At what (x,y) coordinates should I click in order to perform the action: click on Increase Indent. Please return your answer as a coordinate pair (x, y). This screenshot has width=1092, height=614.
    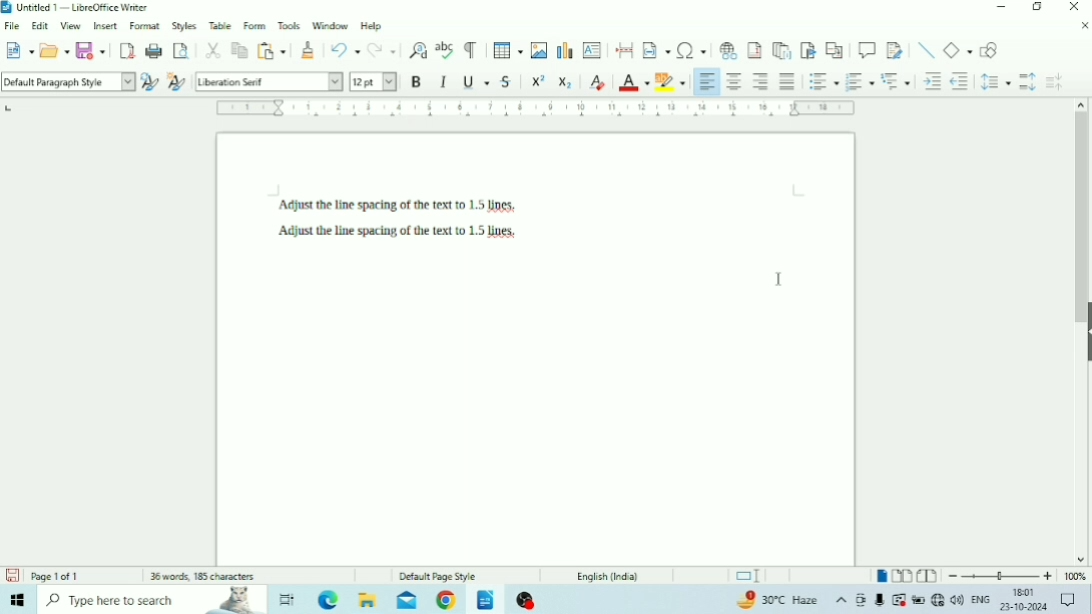
    Looking at the image, I should click on (933, 82).